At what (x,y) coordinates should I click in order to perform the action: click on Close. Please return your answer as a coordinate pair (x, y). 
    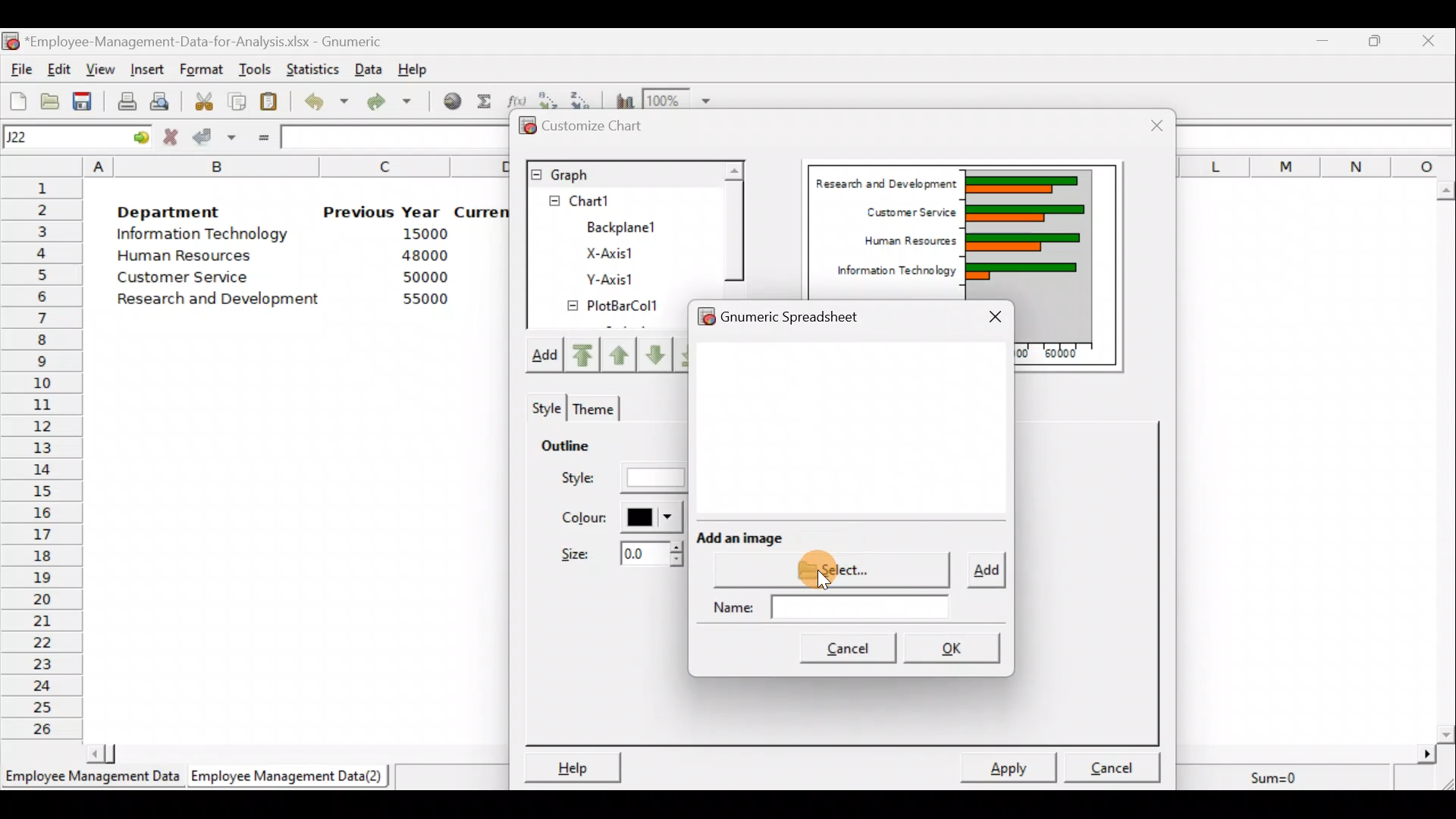
    Looking at the image, I should click on (1432, 40).